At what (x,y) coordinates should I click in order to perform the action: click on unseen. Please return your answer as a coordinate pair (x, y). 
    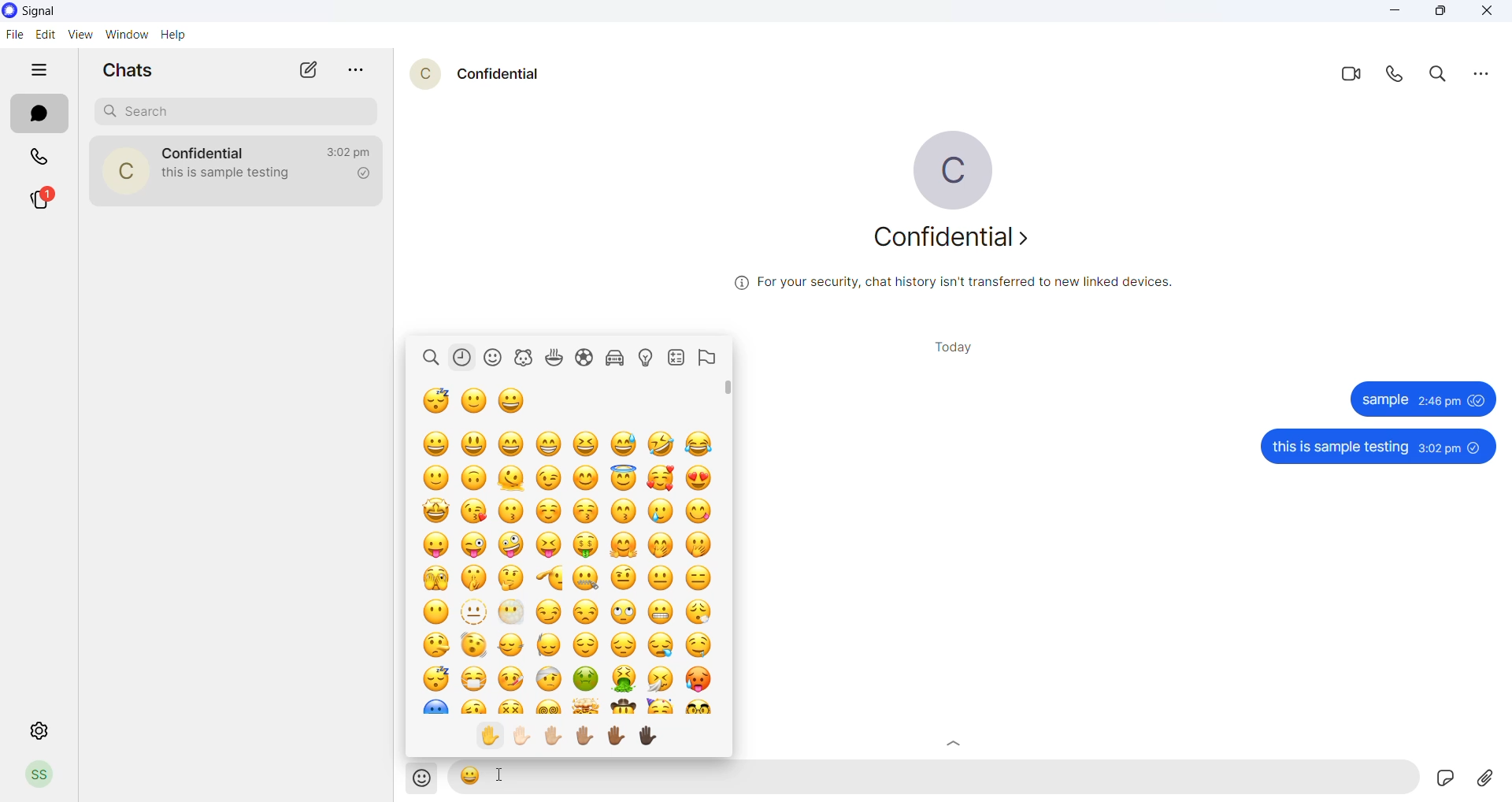
    Looking at the image, I should click on (1477, 447).